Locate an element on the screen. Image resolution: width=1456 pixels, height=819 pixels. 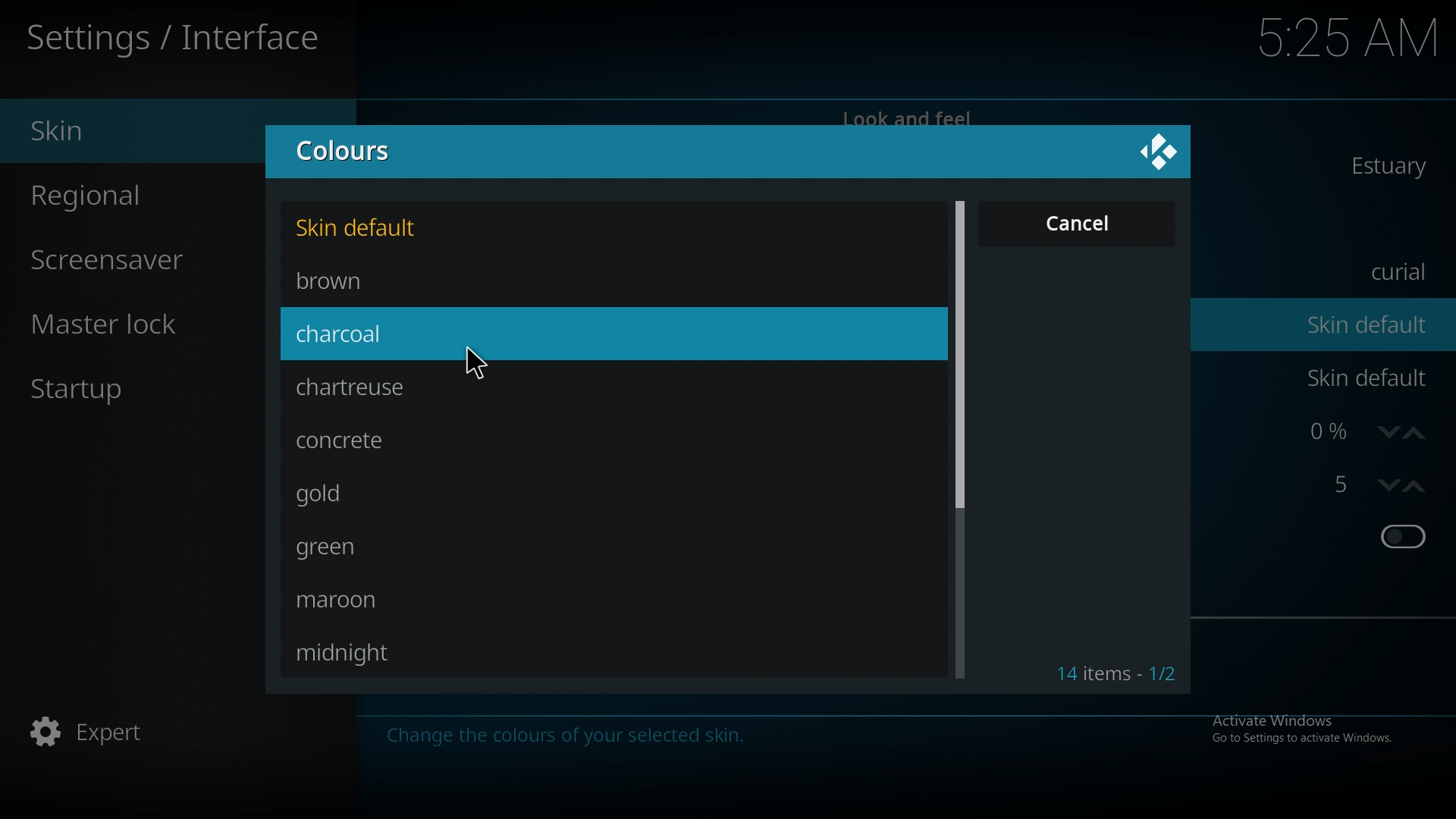
toggle on/off is located at coordinates (1403, 539).